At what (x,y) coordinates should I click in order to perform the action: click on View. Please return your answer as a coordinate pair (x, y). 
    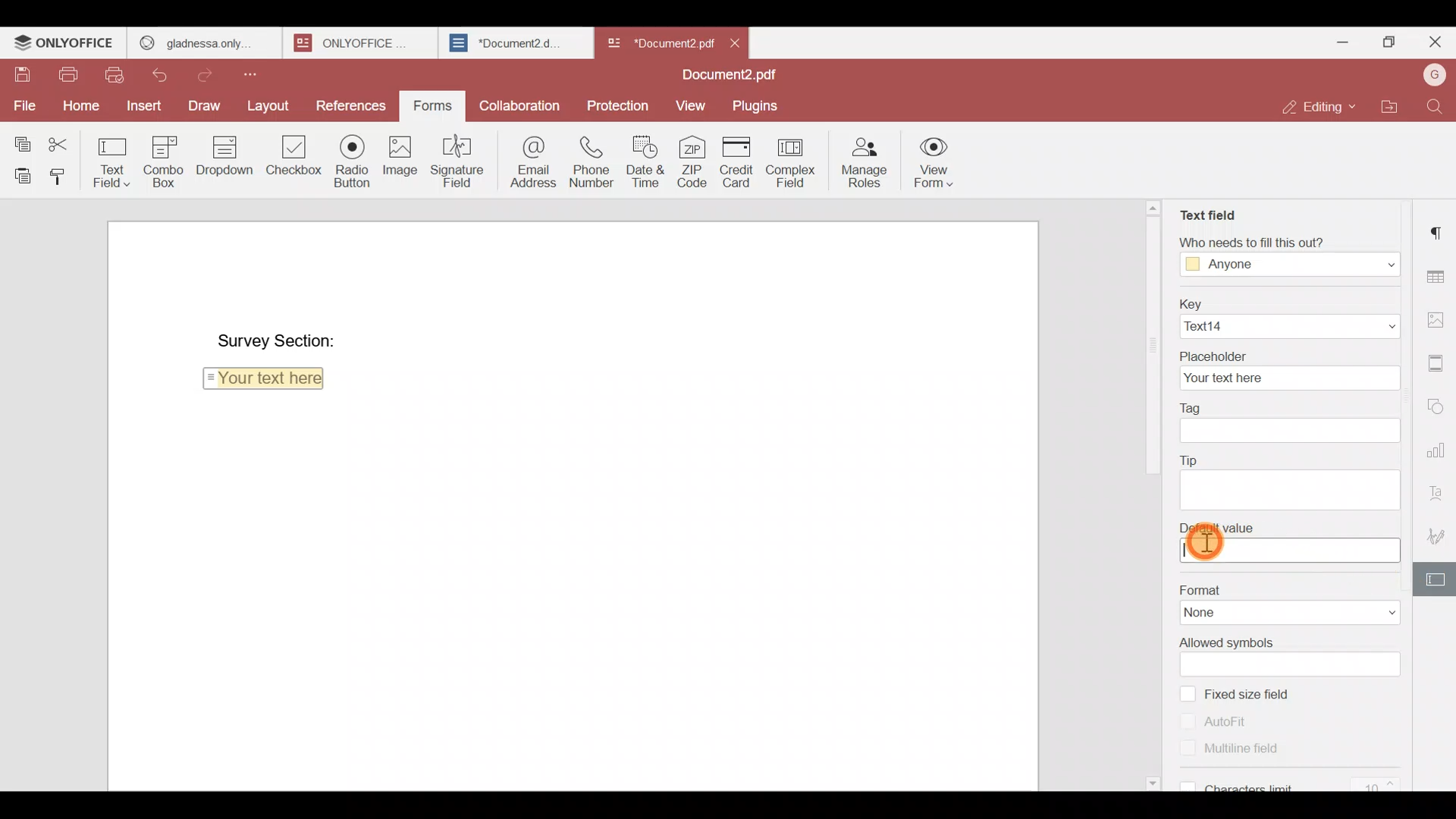
    Looking at the image, I should click on (687, 104).